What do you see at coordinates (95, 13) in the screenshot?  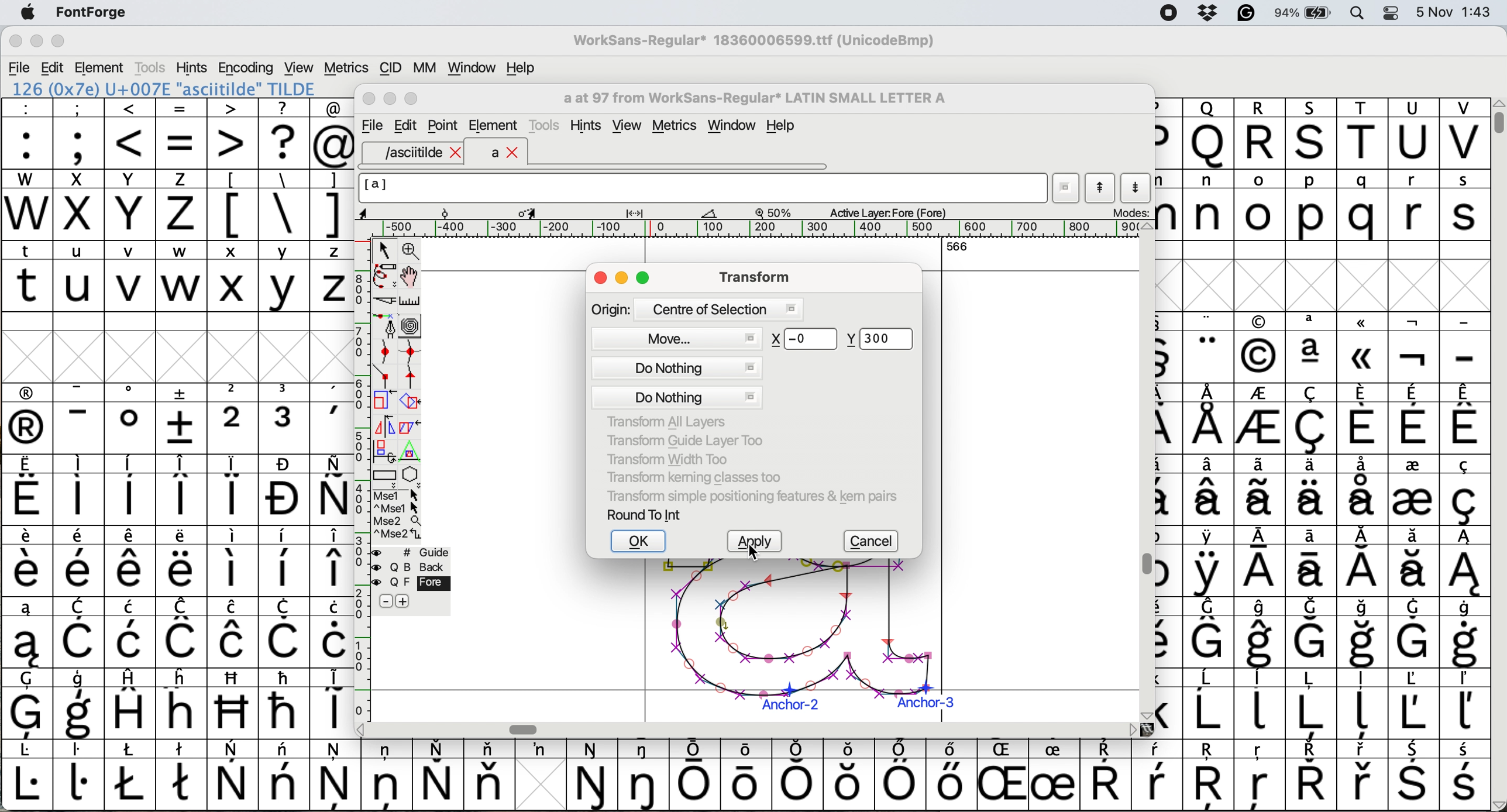 I see `fontforge` at bounding box center [95, 13].